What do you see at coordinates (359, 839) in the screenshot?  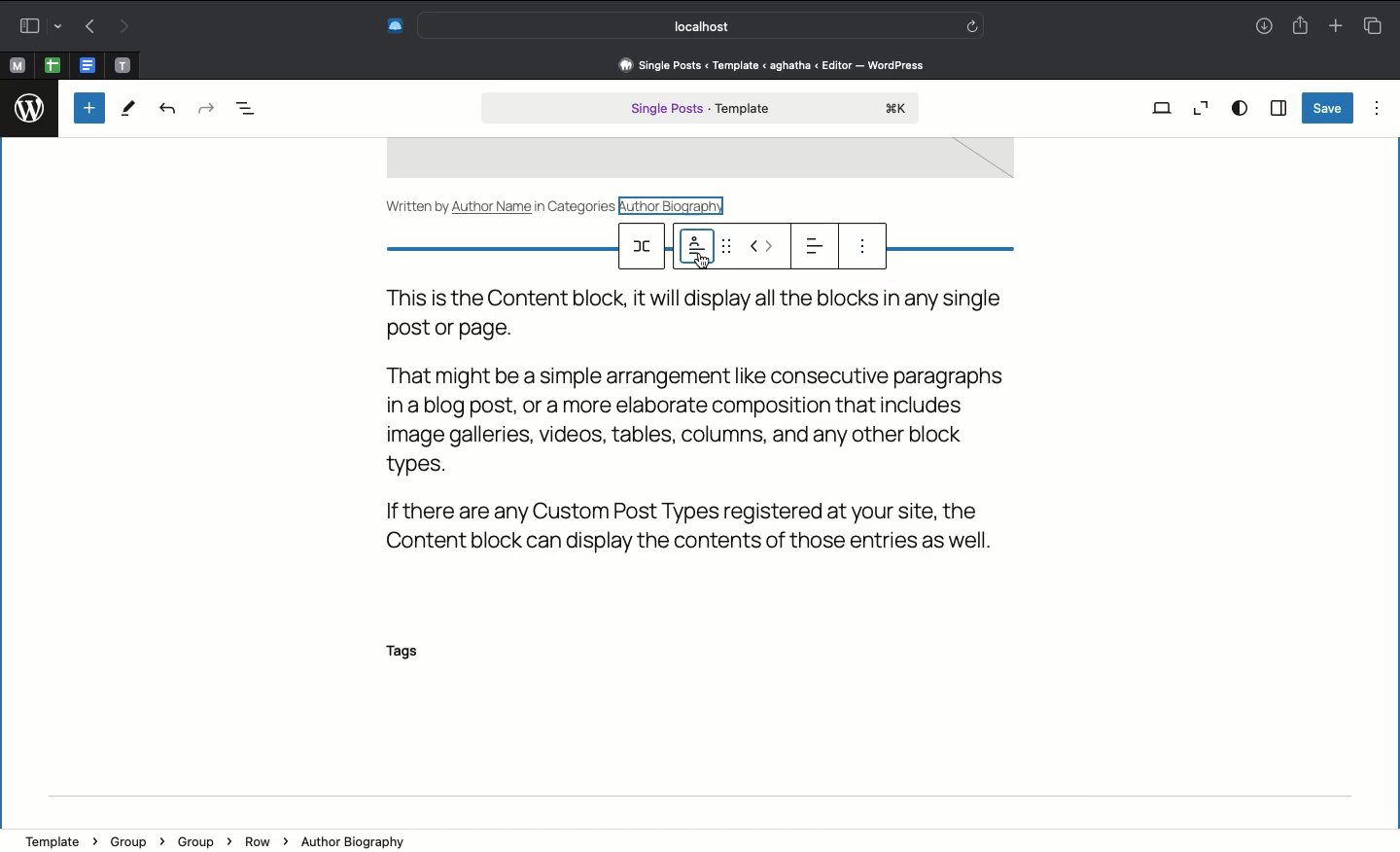 I see `Author biography` at bounding box center [359, 839].